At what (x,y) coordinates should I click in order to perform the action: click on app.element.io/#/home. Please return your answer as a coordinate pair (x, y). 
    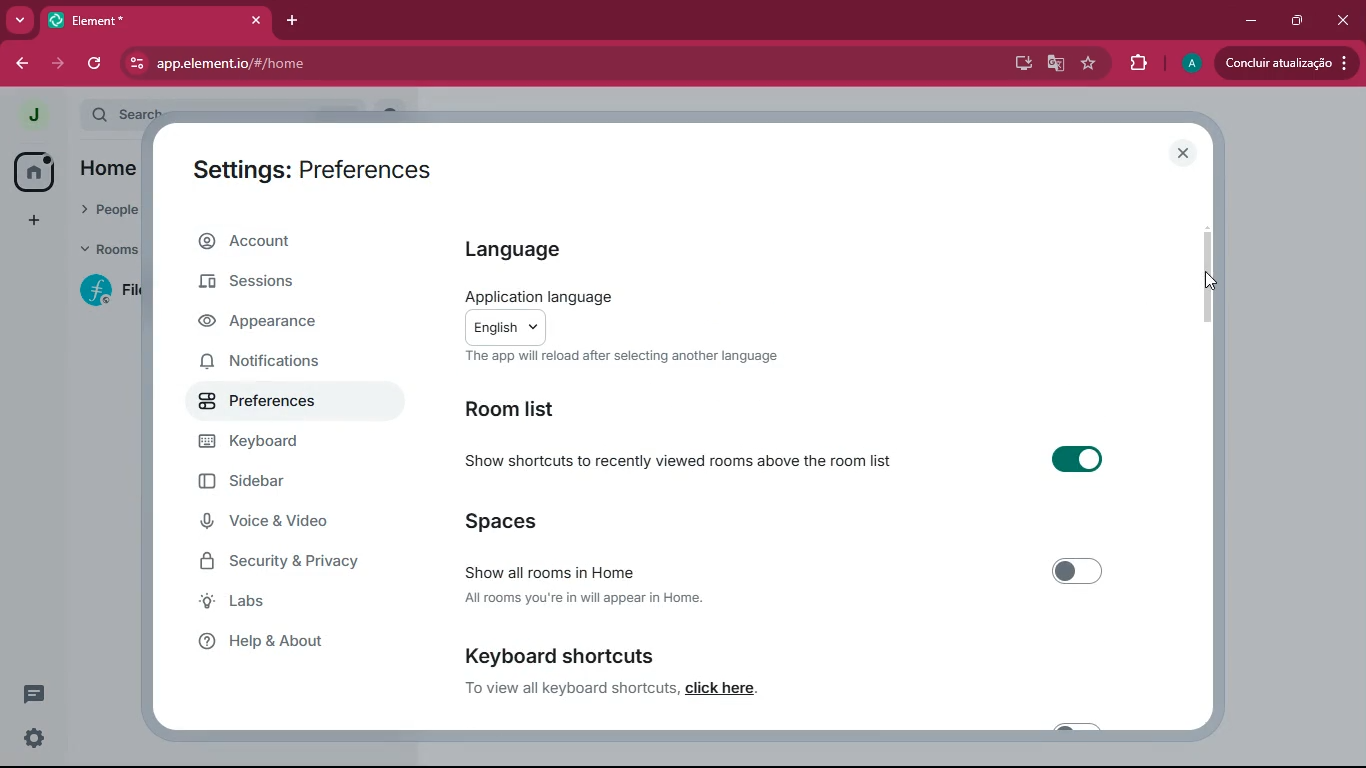
    Looking at the image, I should click on (358, 65).